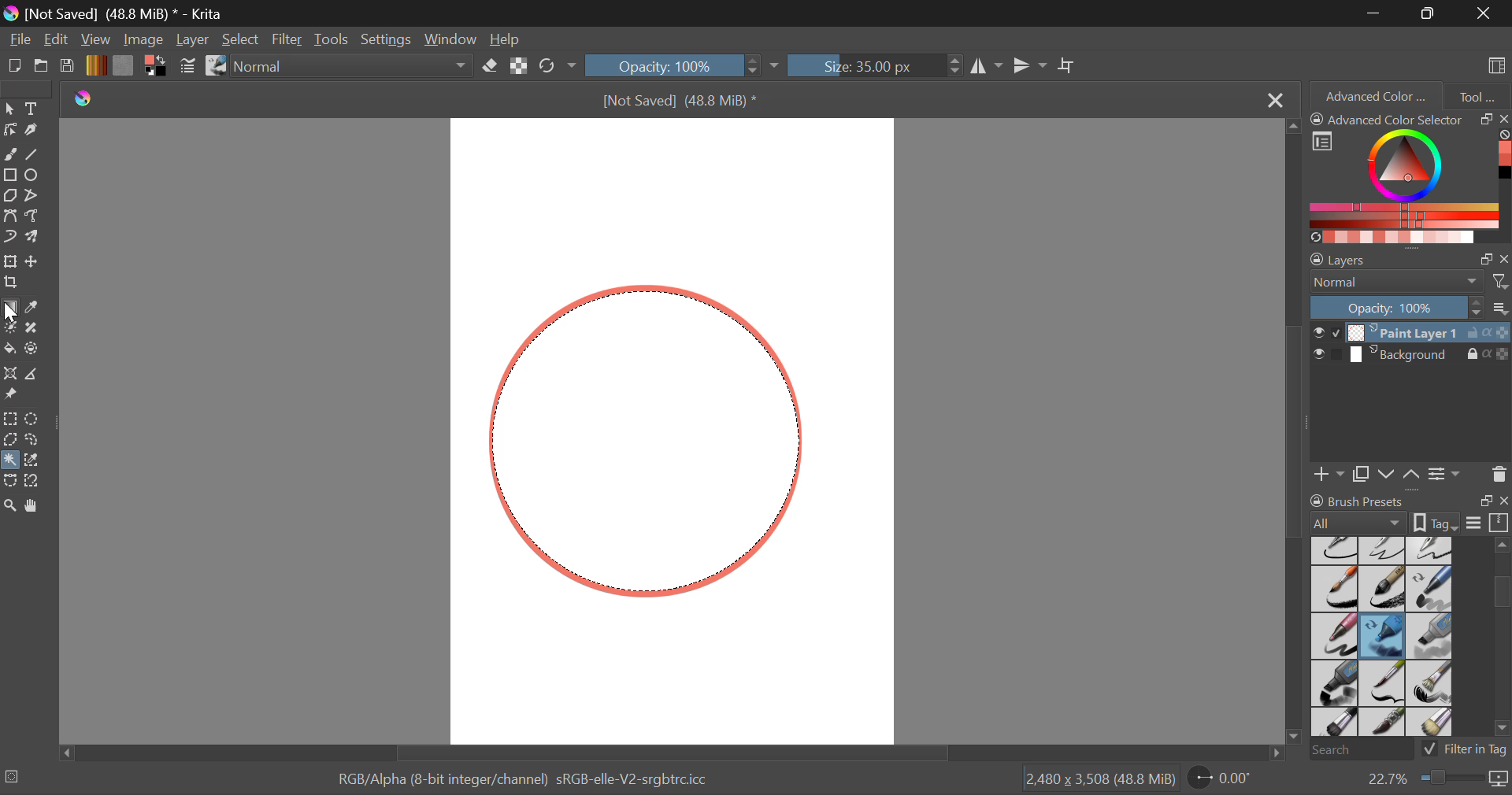 The width and height of the screenshot is (1512, 795). I want to click on Restore Down, so click(1377, 13).